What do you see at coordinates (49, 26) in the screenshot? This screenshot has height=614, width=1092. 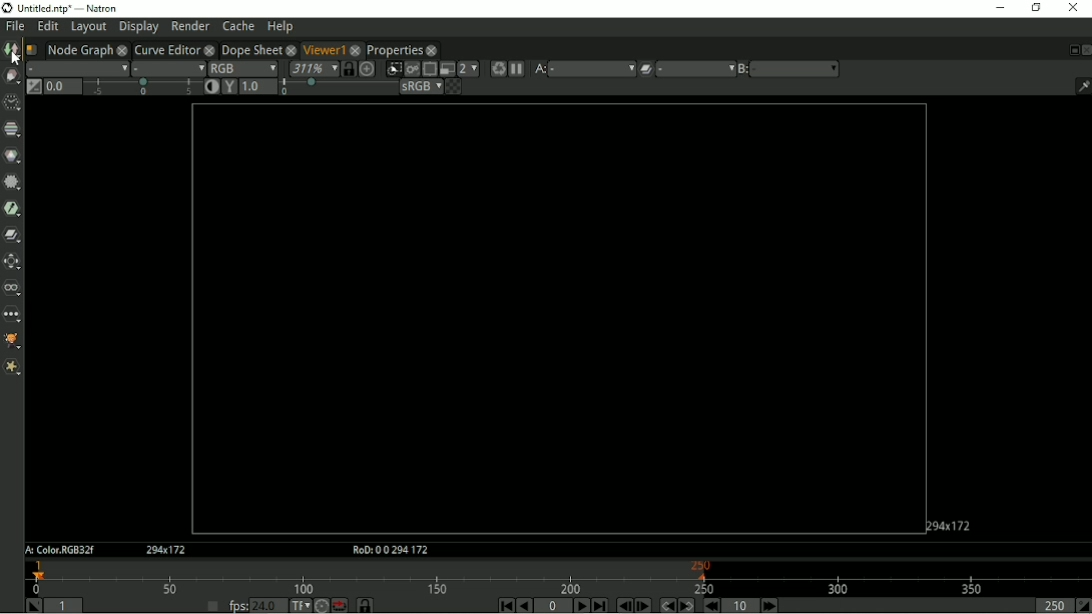 I see `Edit` at bounding box center [49, 26].